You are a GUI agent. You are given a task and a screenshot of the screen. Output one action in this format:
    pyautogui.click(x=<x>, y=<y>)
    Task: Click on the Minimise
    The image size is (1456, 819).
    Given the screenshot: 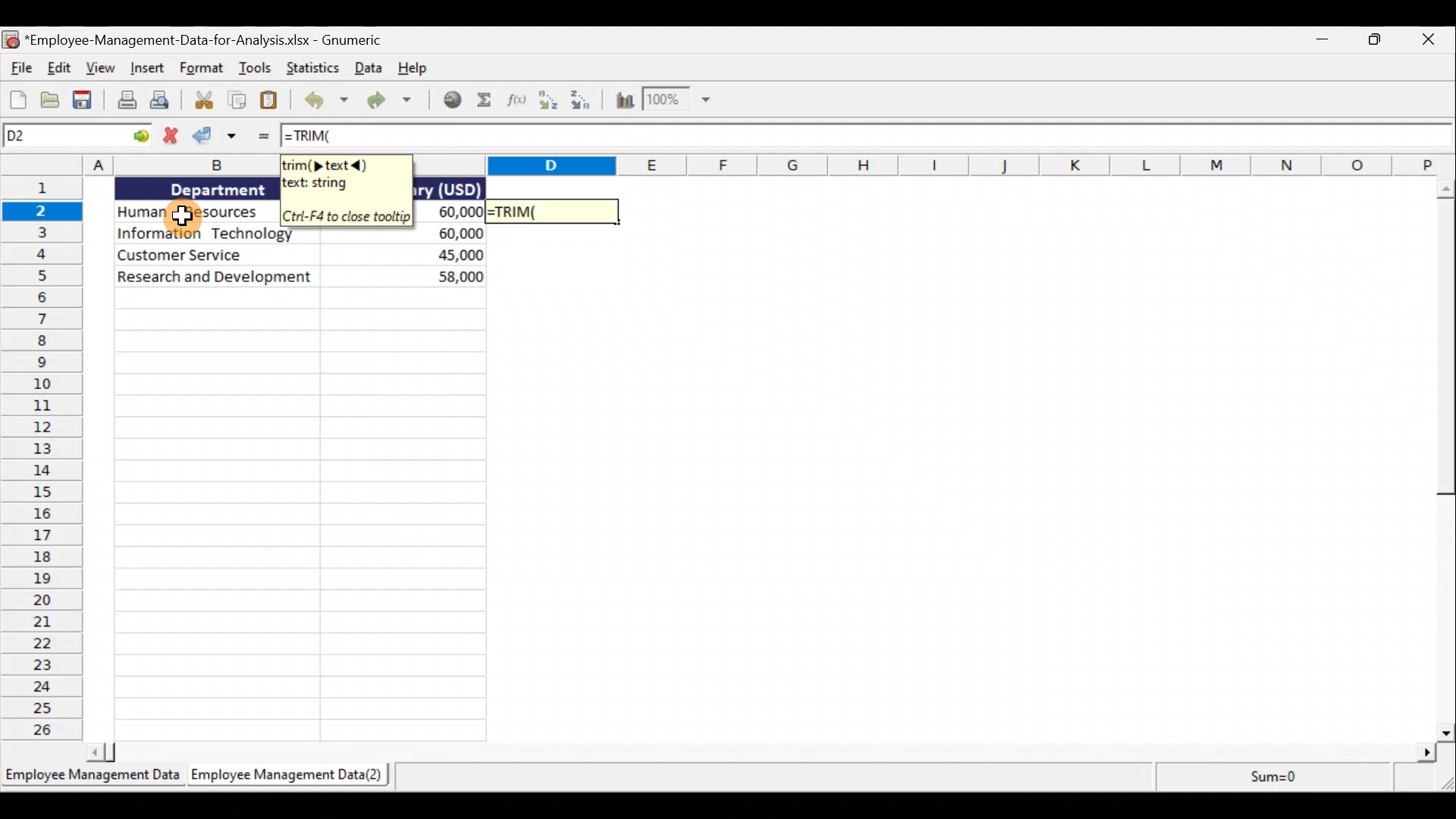 What is the action you would take?
    pyautogui.click(x=1321, y=41)
    